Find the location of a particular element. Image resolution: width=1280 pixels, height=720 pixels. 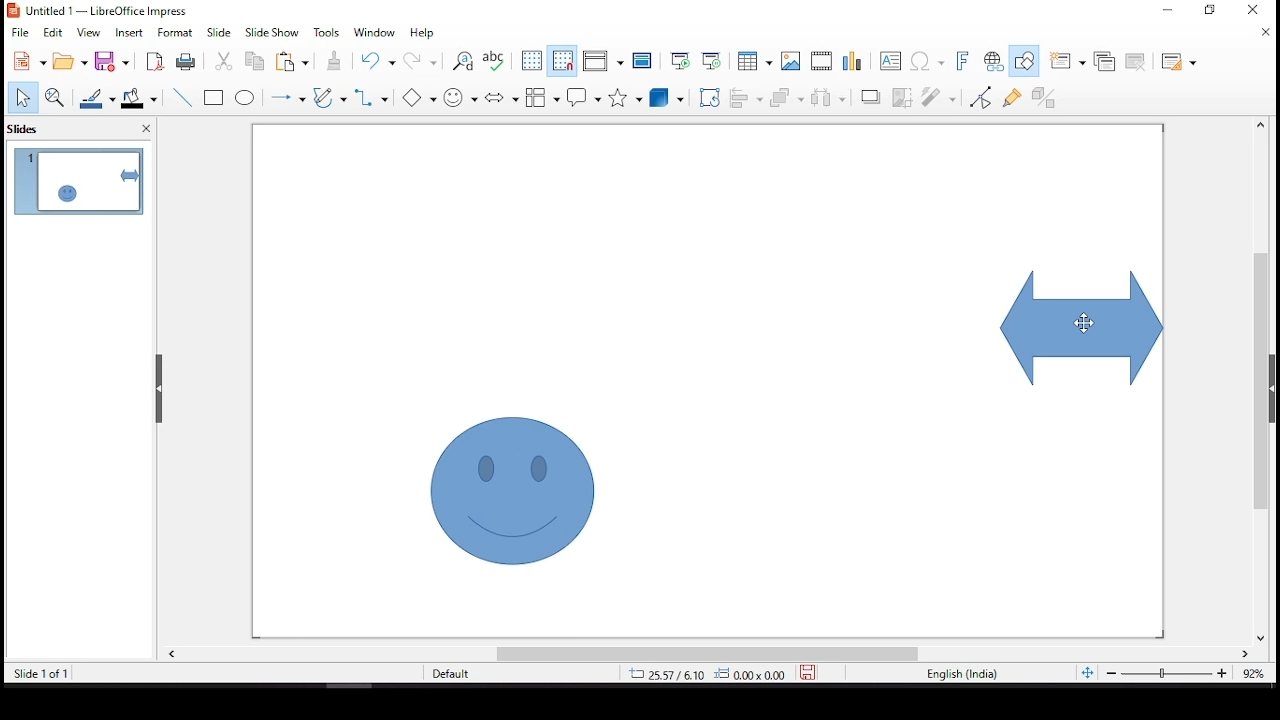

english (india) is located at coordinates (962, 675).